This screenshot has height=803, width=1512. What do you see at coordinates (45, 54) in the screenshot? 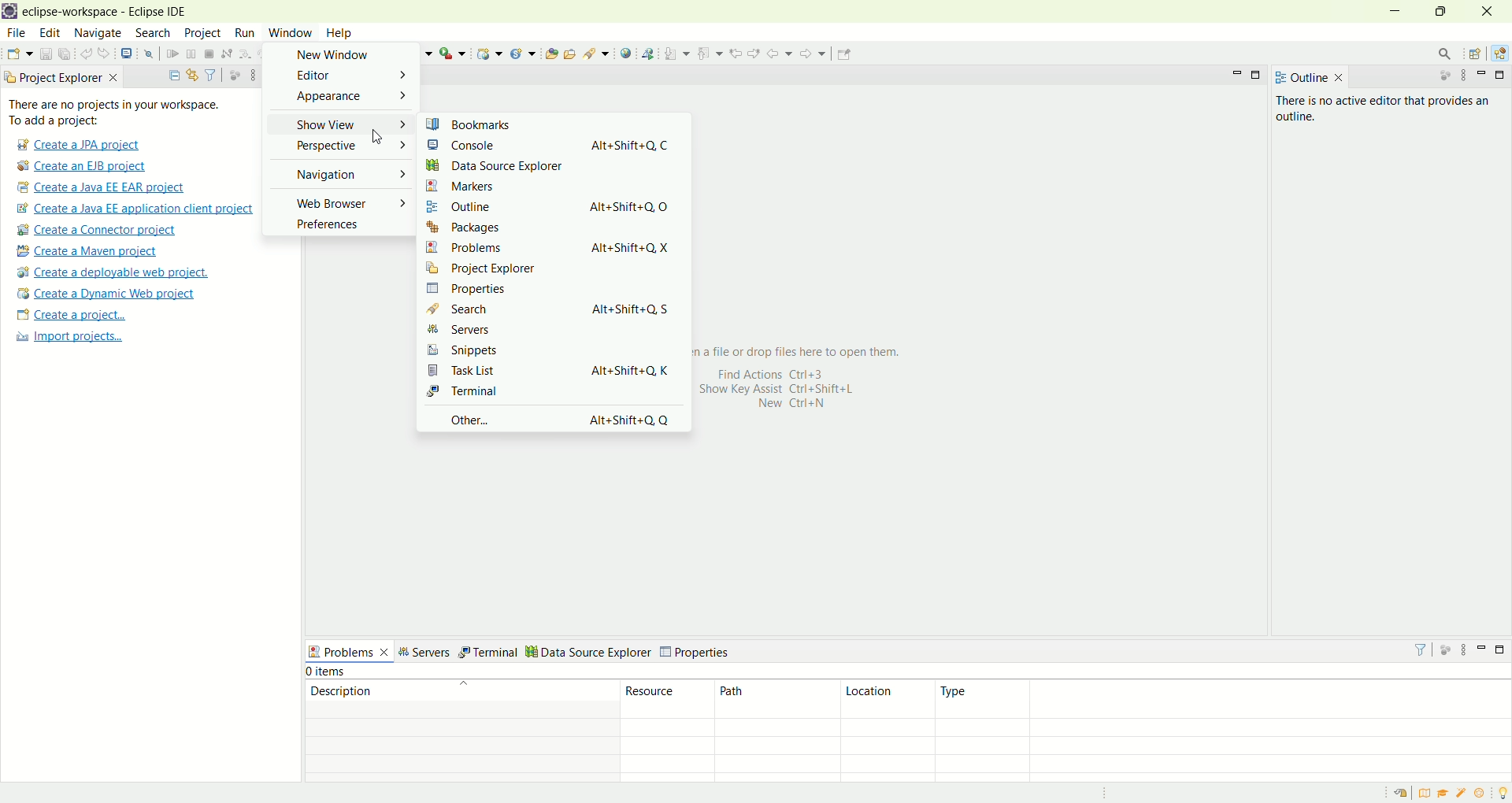
I see `save` at bounding box center [45, 54].